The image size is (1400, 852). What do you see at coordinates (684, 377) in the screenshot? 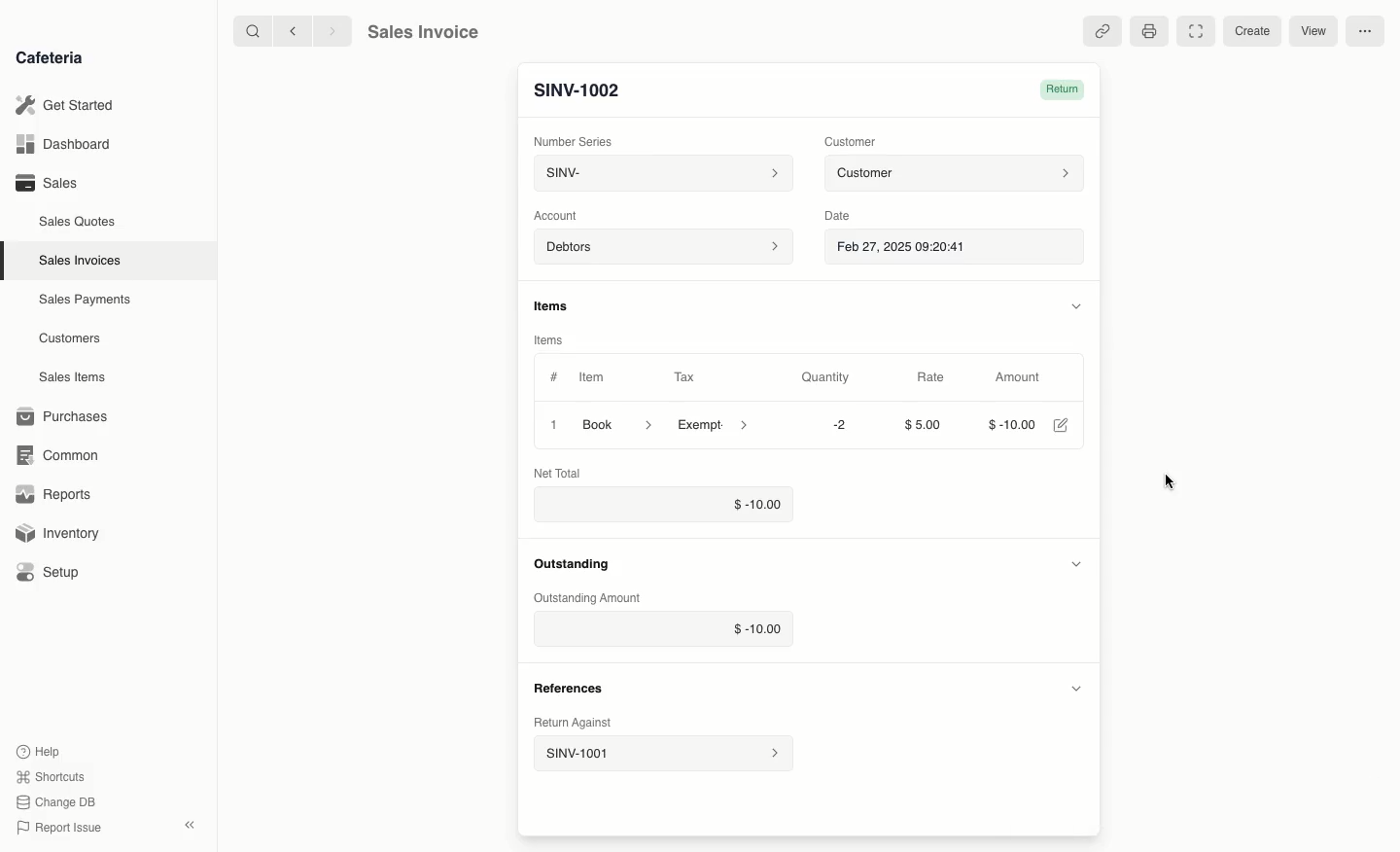
I see `Tax` at bounding box center [684, 377].